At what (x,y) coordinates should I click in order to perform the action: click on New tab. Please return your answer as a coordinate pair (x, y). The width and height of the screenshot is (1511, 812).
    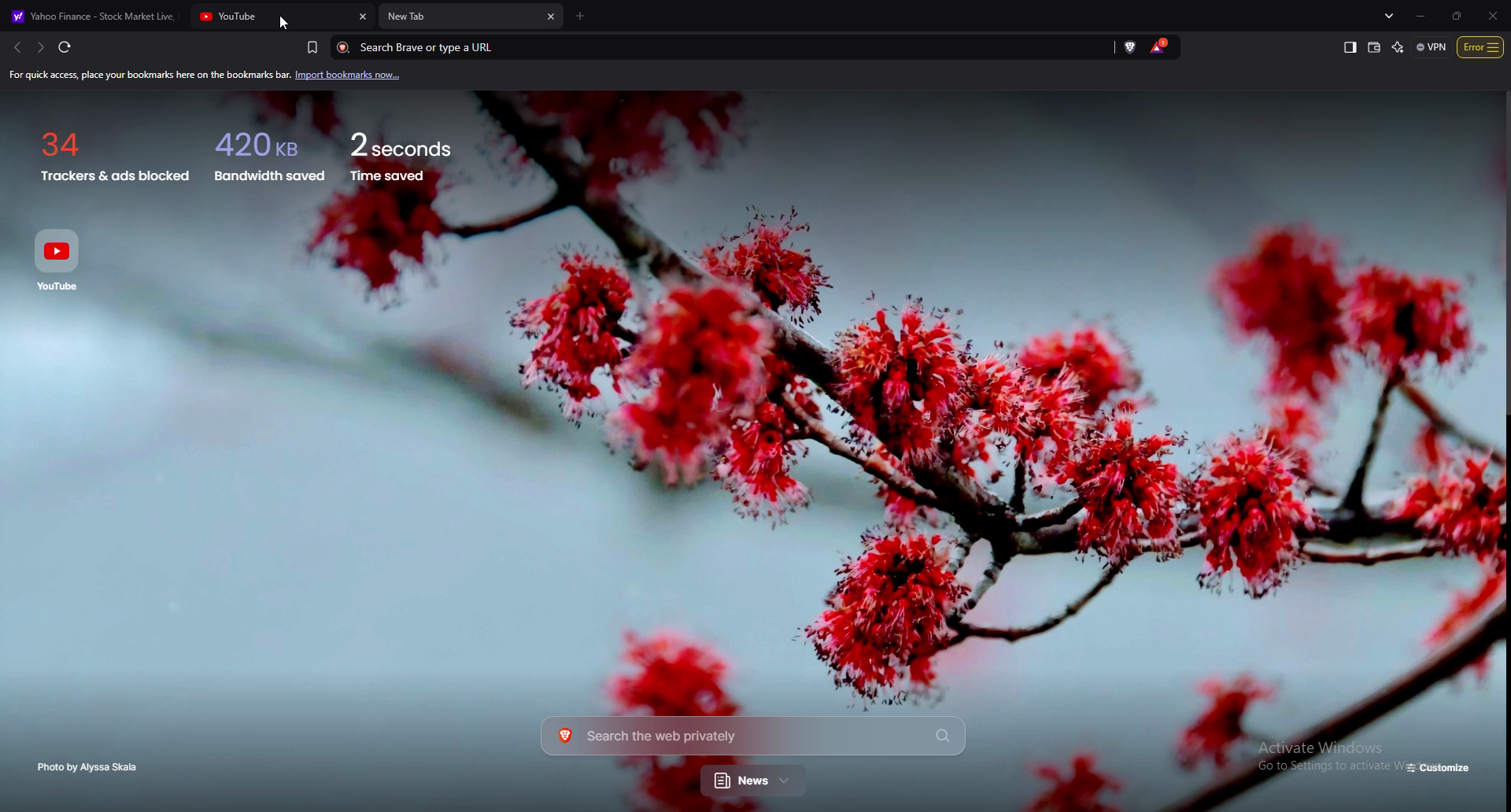
    Looking at the image, I should click on (460, 17).